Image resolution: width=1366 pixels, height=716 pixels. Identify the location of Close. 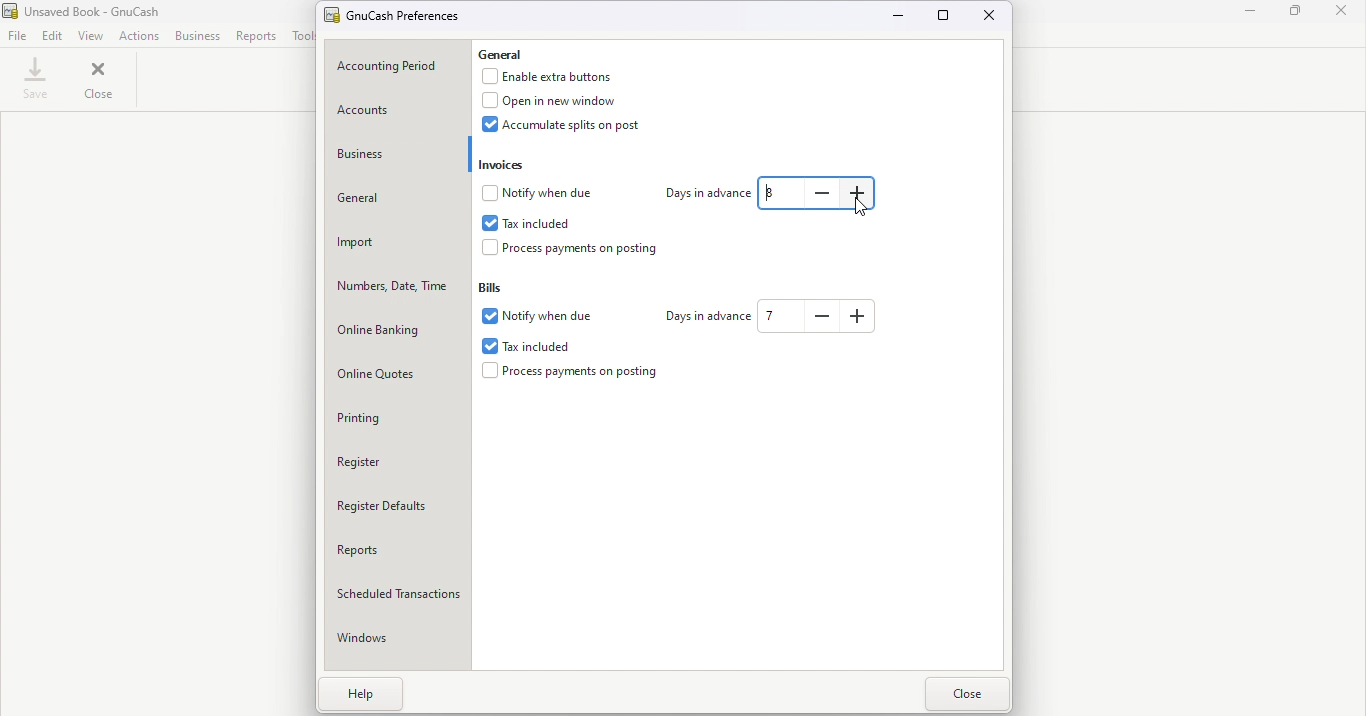
(967, 695).